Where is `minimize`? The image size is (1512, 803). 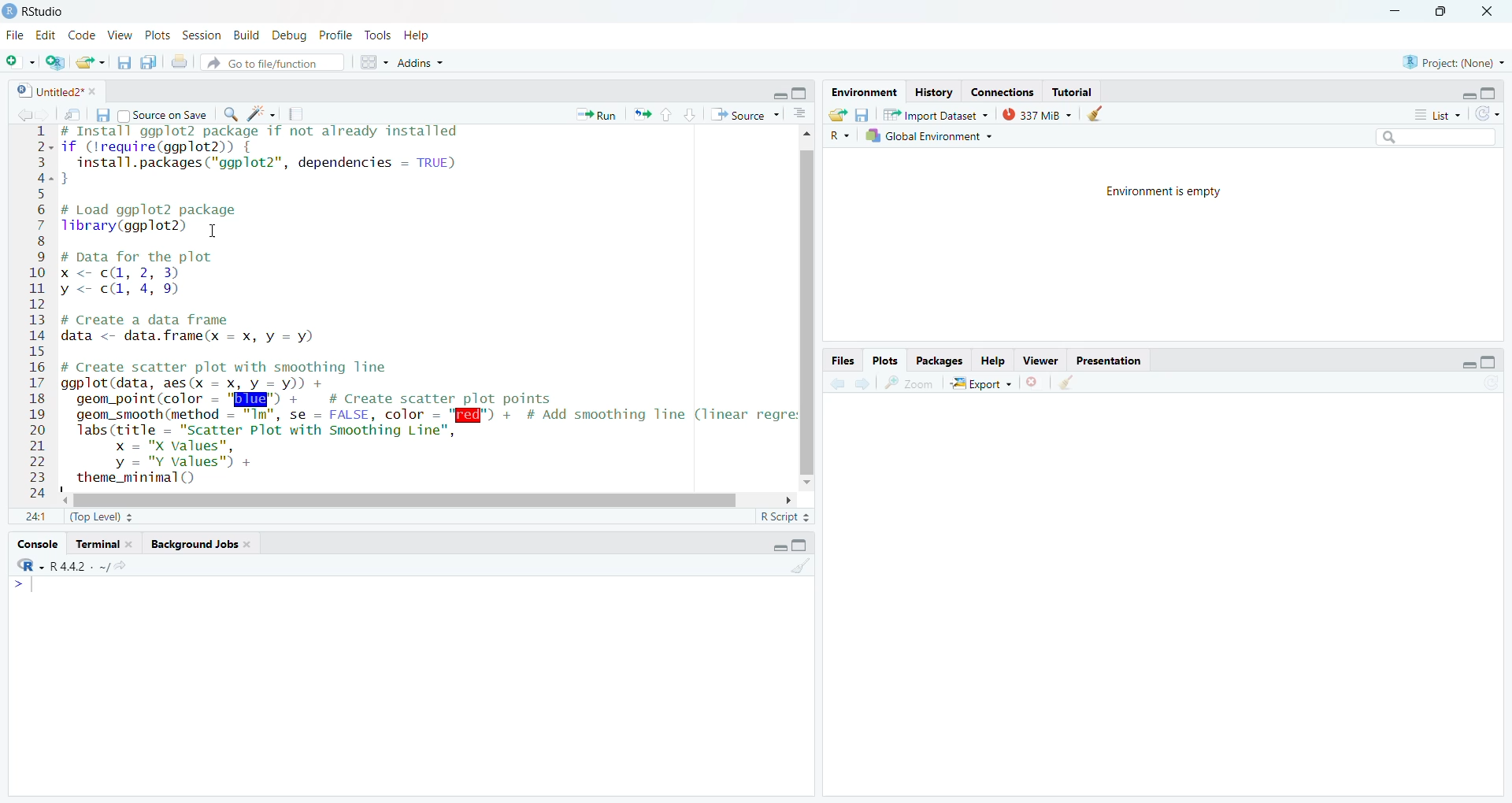 minimize is located at coordinates (1390, 12).